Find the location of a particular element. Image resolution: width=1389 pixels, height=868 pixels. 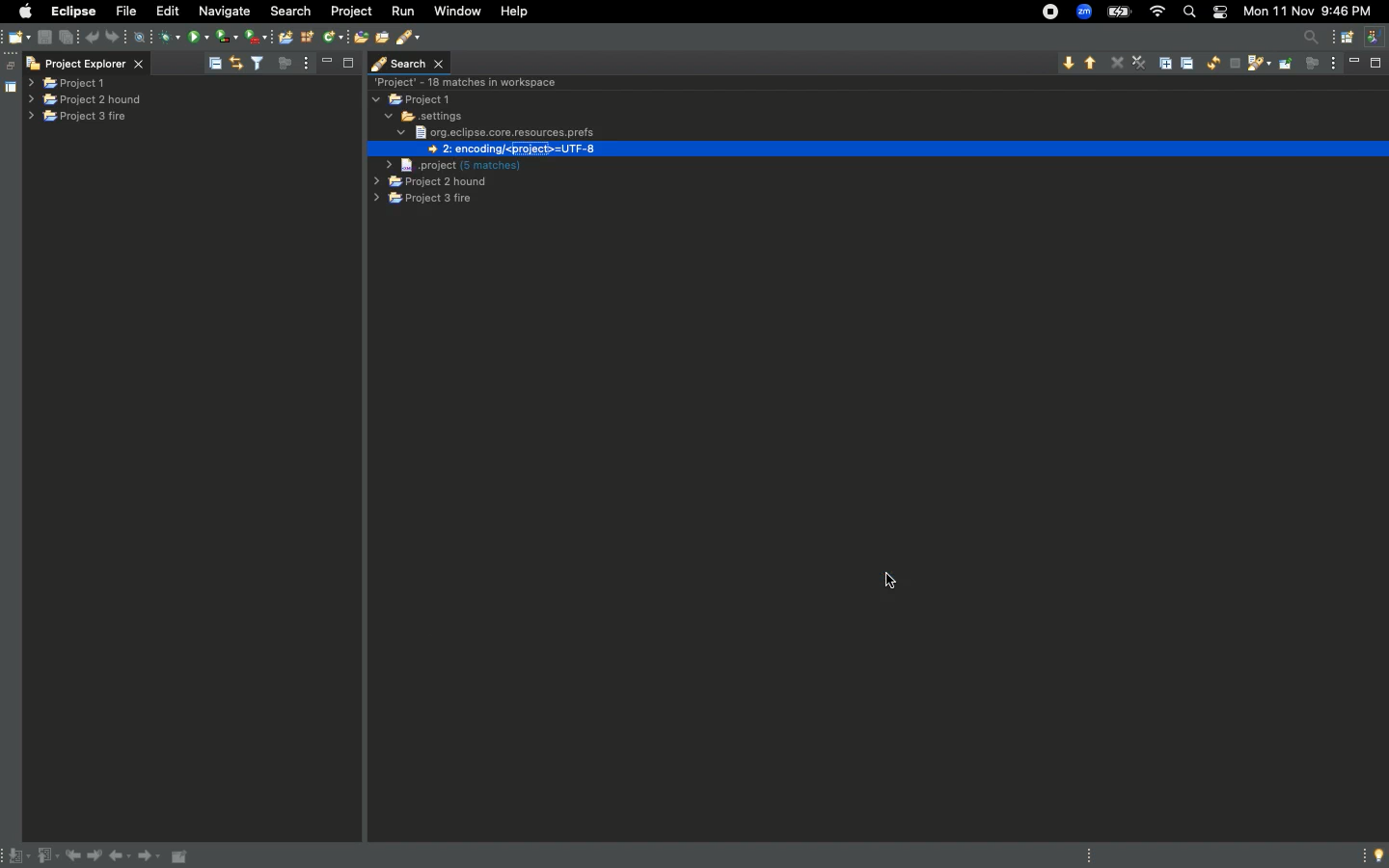

Project 2 hound is located at coordinates (85, 100).